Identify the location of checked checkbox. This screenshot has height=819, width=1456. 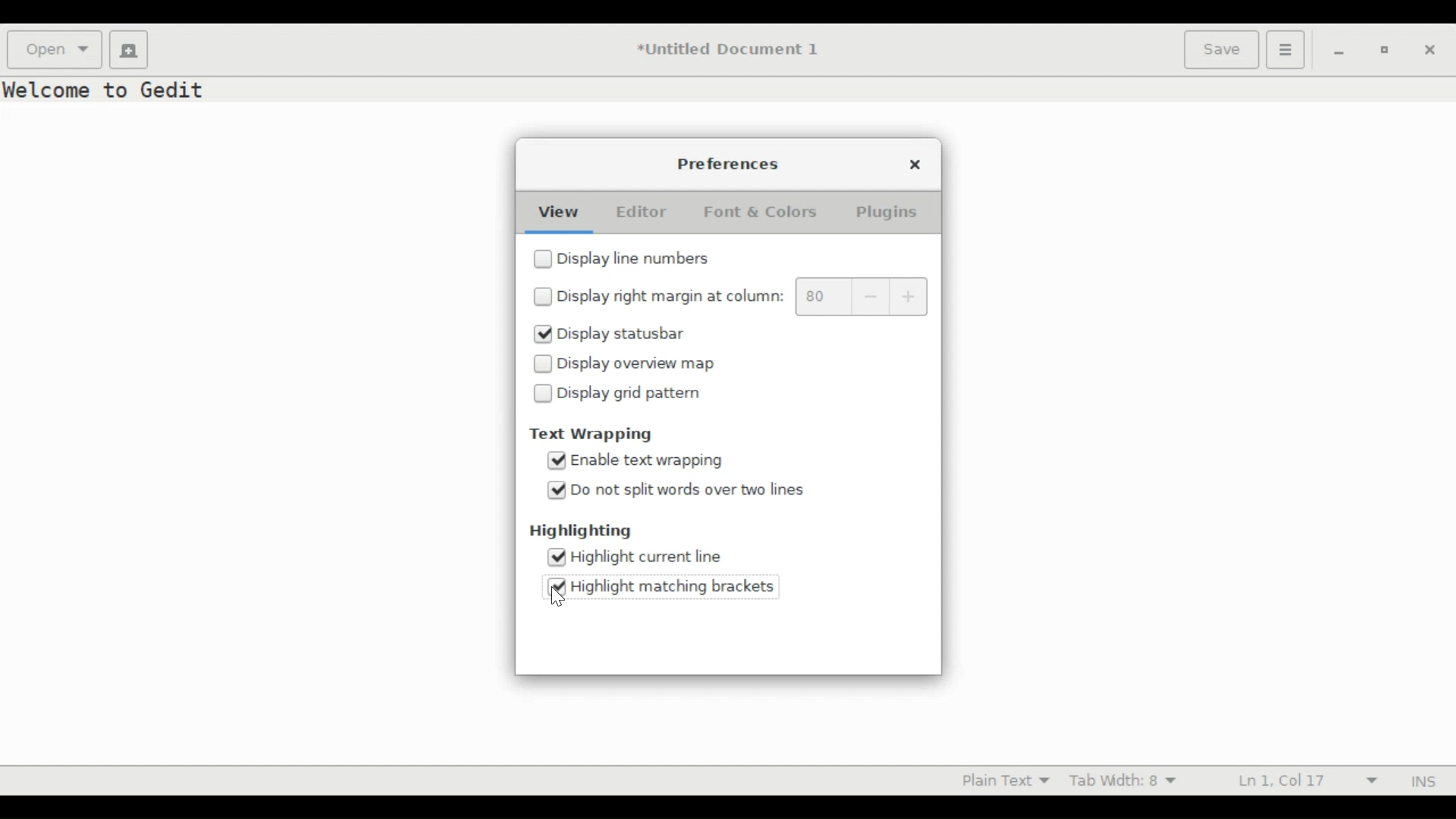
(558, 588).